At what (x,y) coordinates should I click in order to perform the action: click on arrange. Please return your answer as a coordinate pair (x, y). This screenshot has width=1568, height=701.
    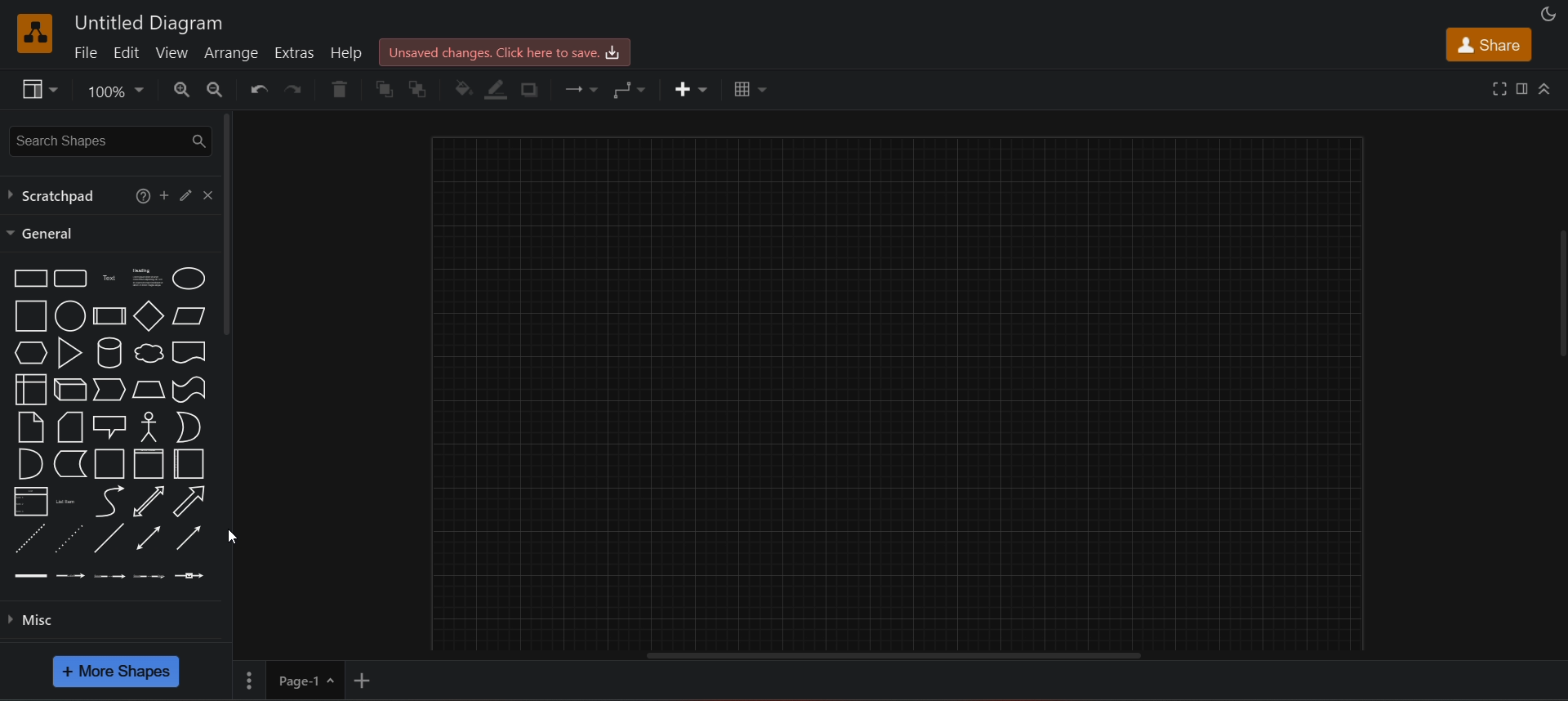
    Looking at the image, I should click on (234, 56).